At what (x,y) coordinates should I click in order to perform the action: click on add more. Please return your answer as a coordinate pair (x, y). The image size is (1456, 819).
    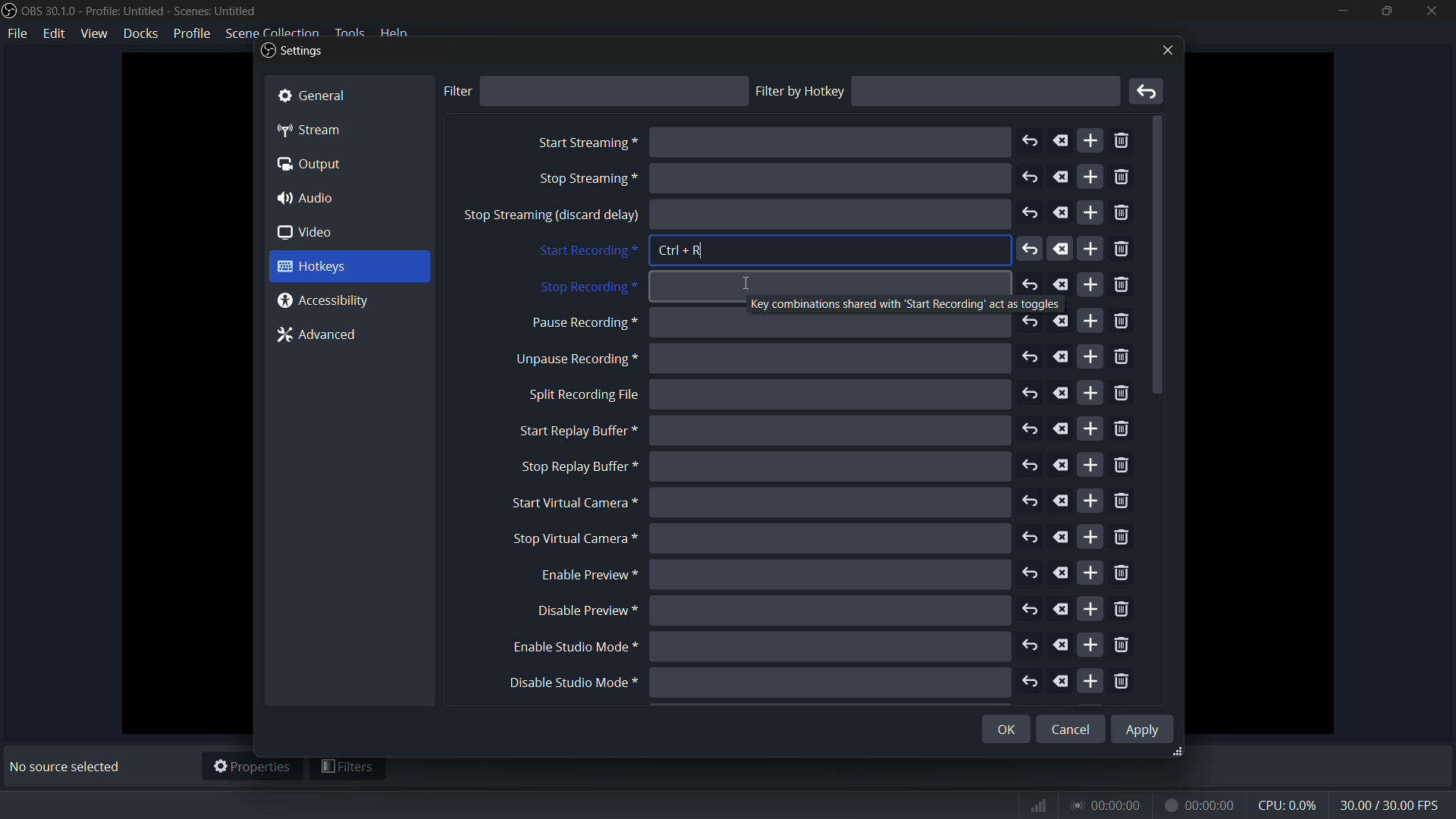
    Looking at the image, I should click on (1089, 428).